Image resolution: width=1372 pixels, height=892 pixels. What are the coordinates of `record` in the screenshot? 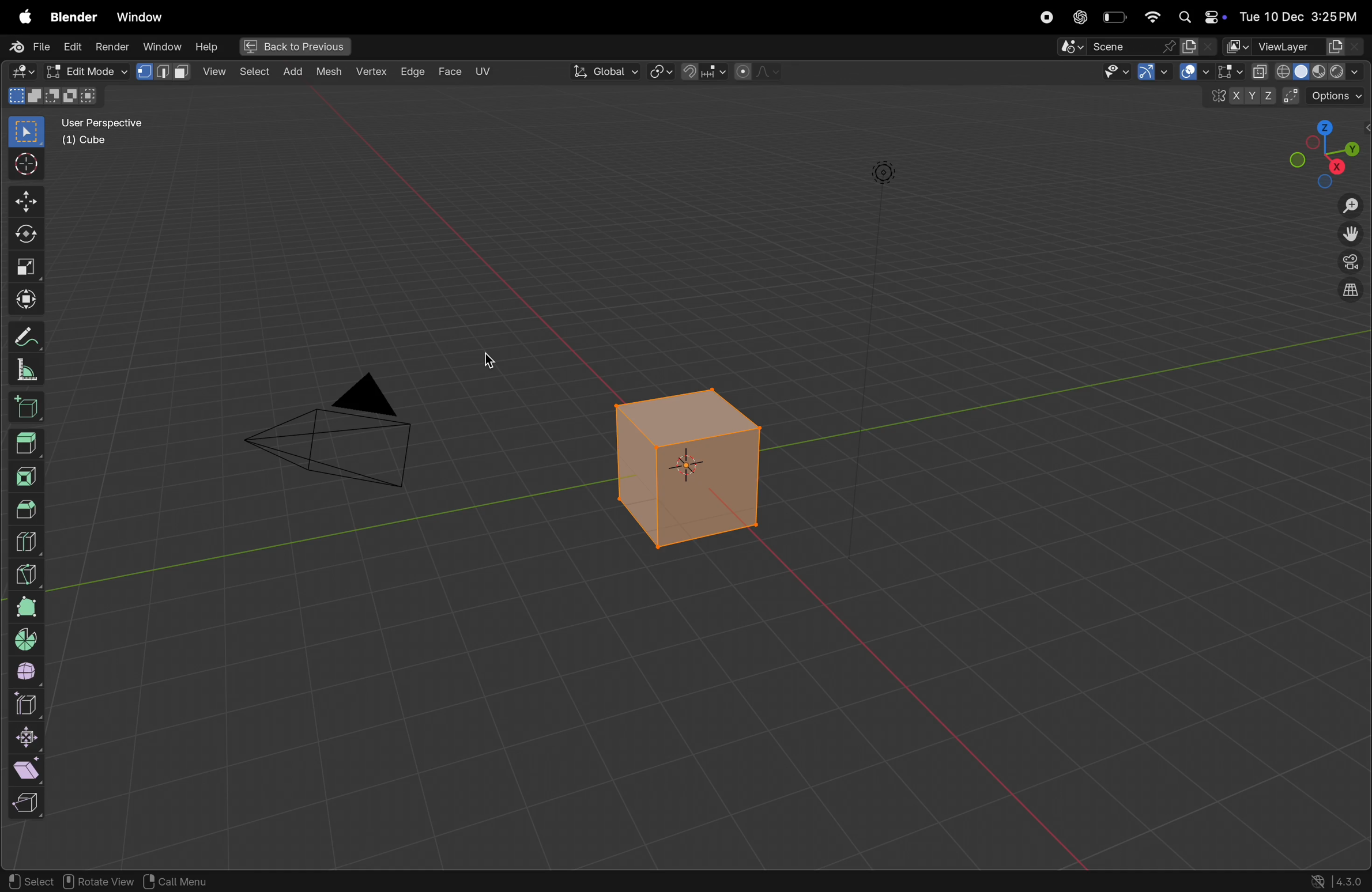 It's located at (1047, 17).